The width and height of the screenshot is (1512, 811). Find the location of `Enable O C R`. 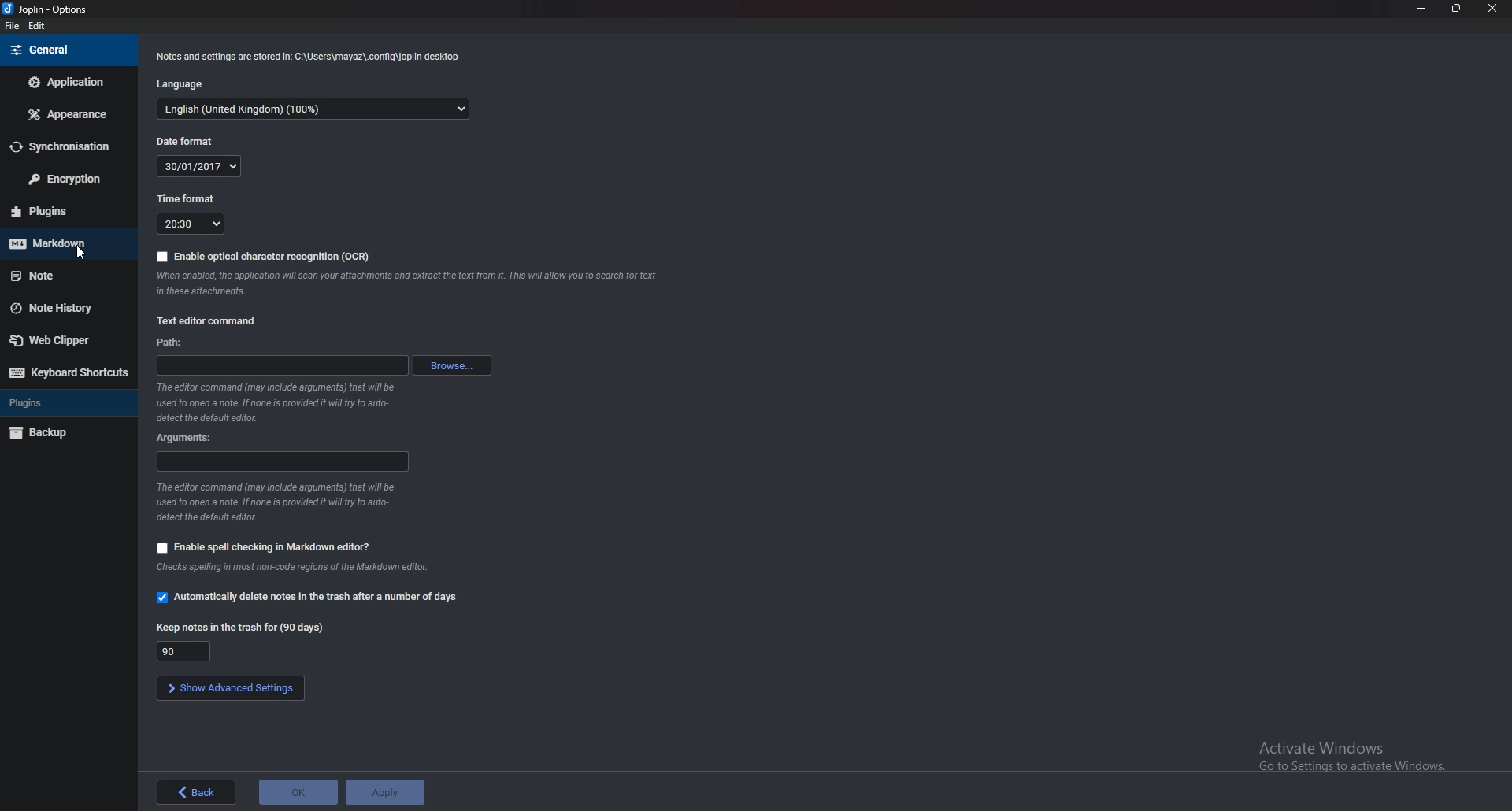

Enable O C R is located at coordinates (266, 256).